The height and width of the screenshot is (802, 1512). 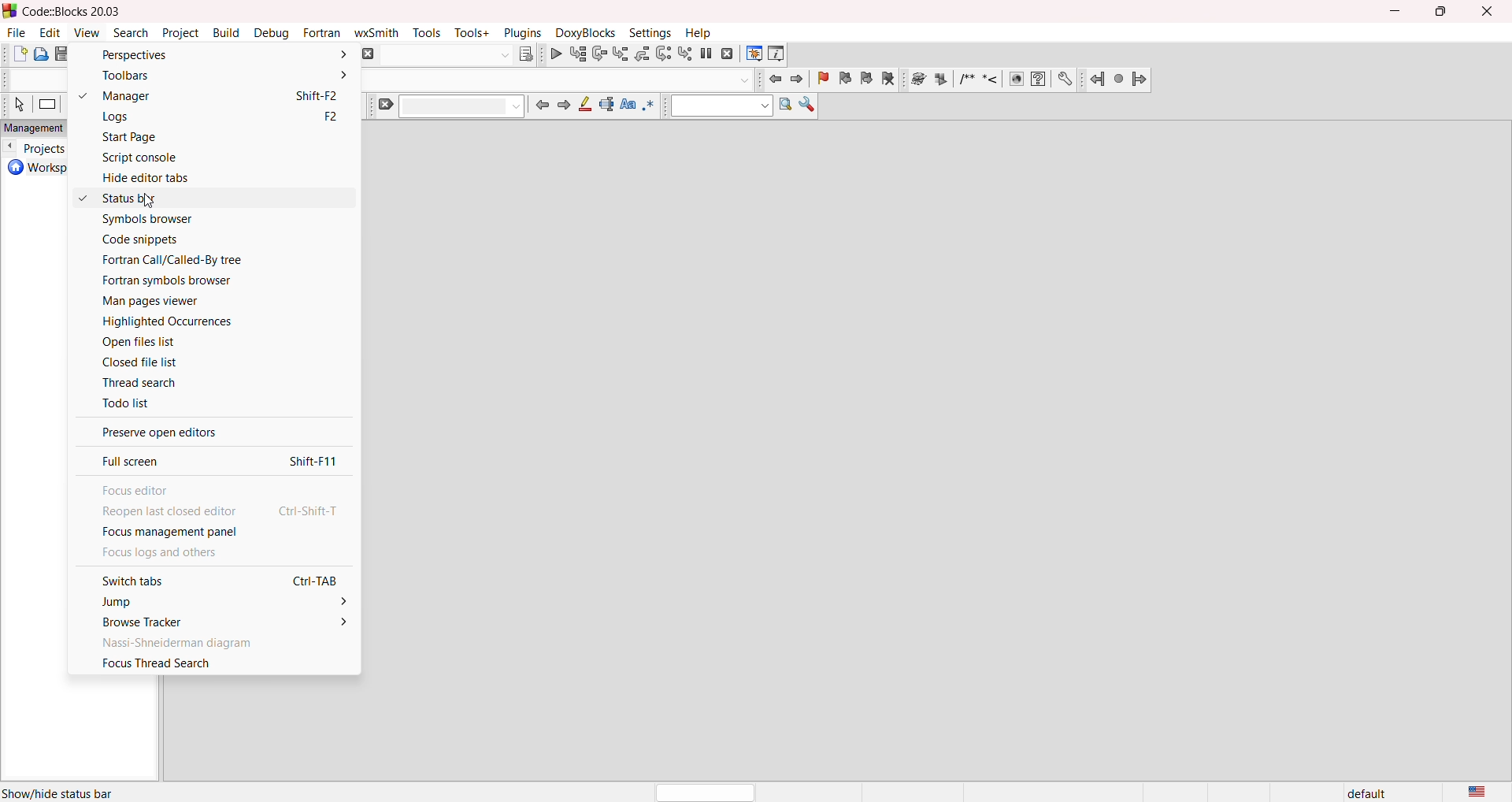 I want to click on , so click(x=795, y=80).